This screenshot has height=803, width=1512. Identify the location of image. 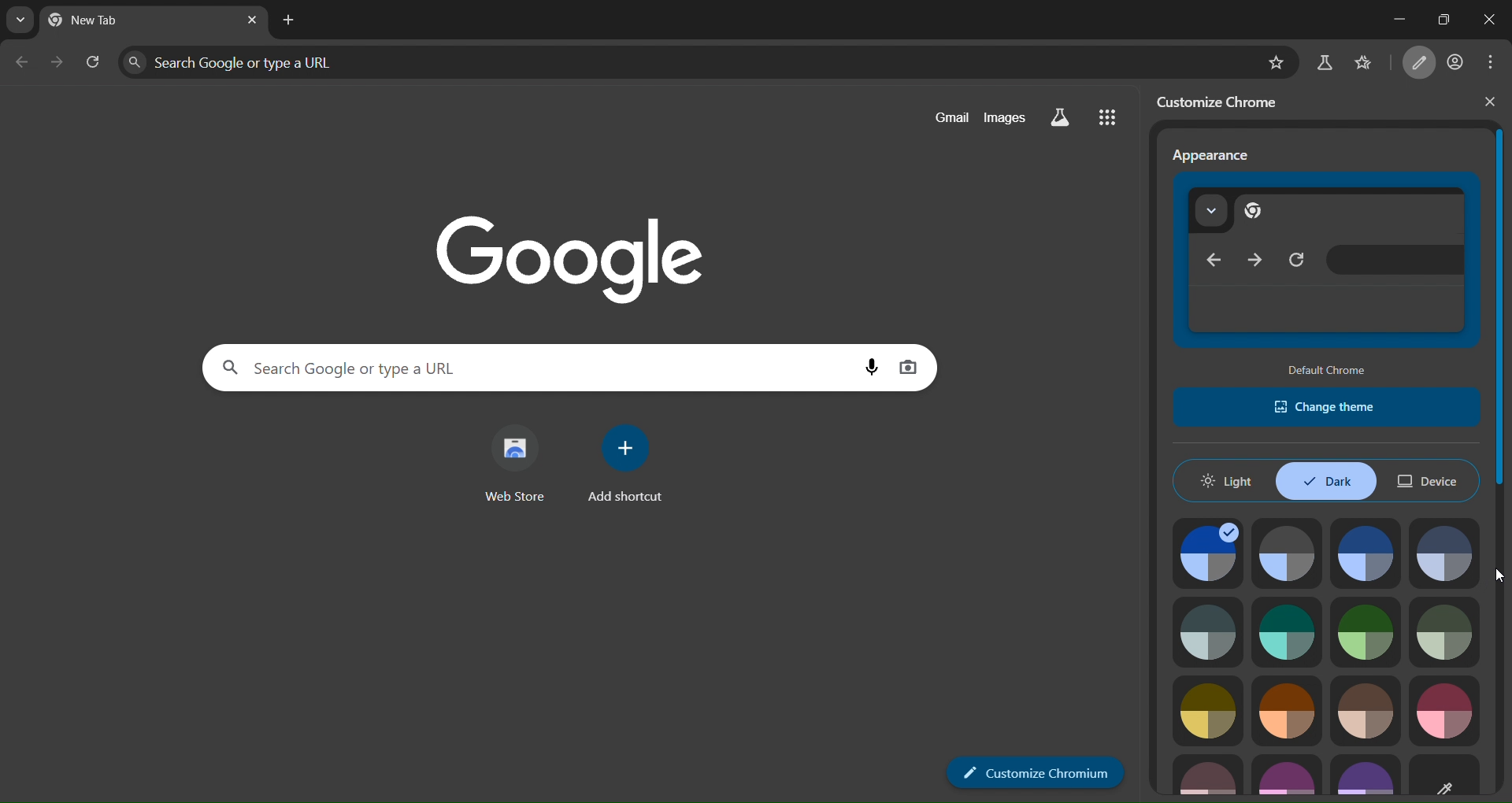
(1444, 553).